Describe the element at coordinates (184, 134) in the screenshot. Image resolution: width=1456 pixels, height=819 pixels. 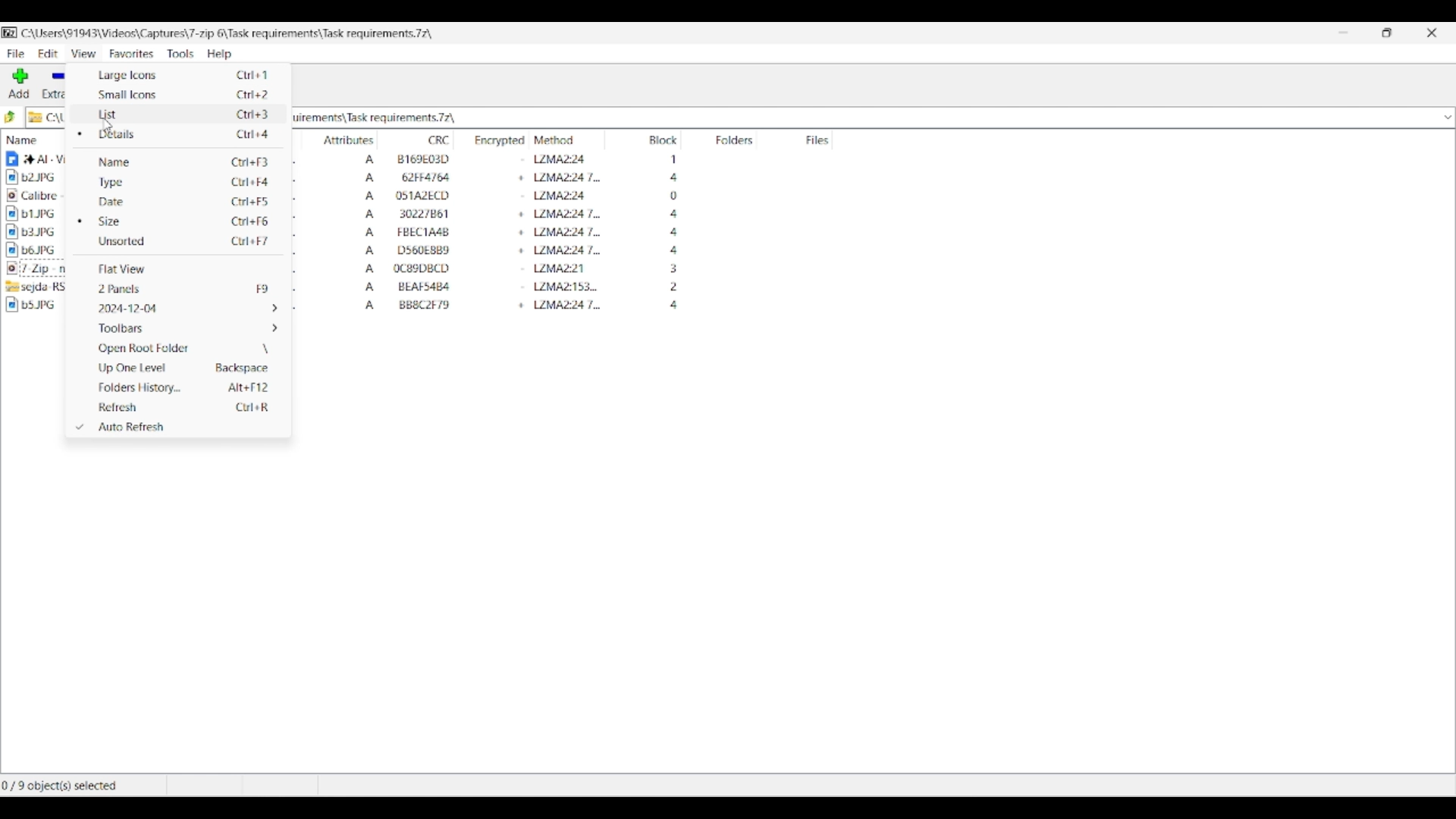
I see `Details` at that location.